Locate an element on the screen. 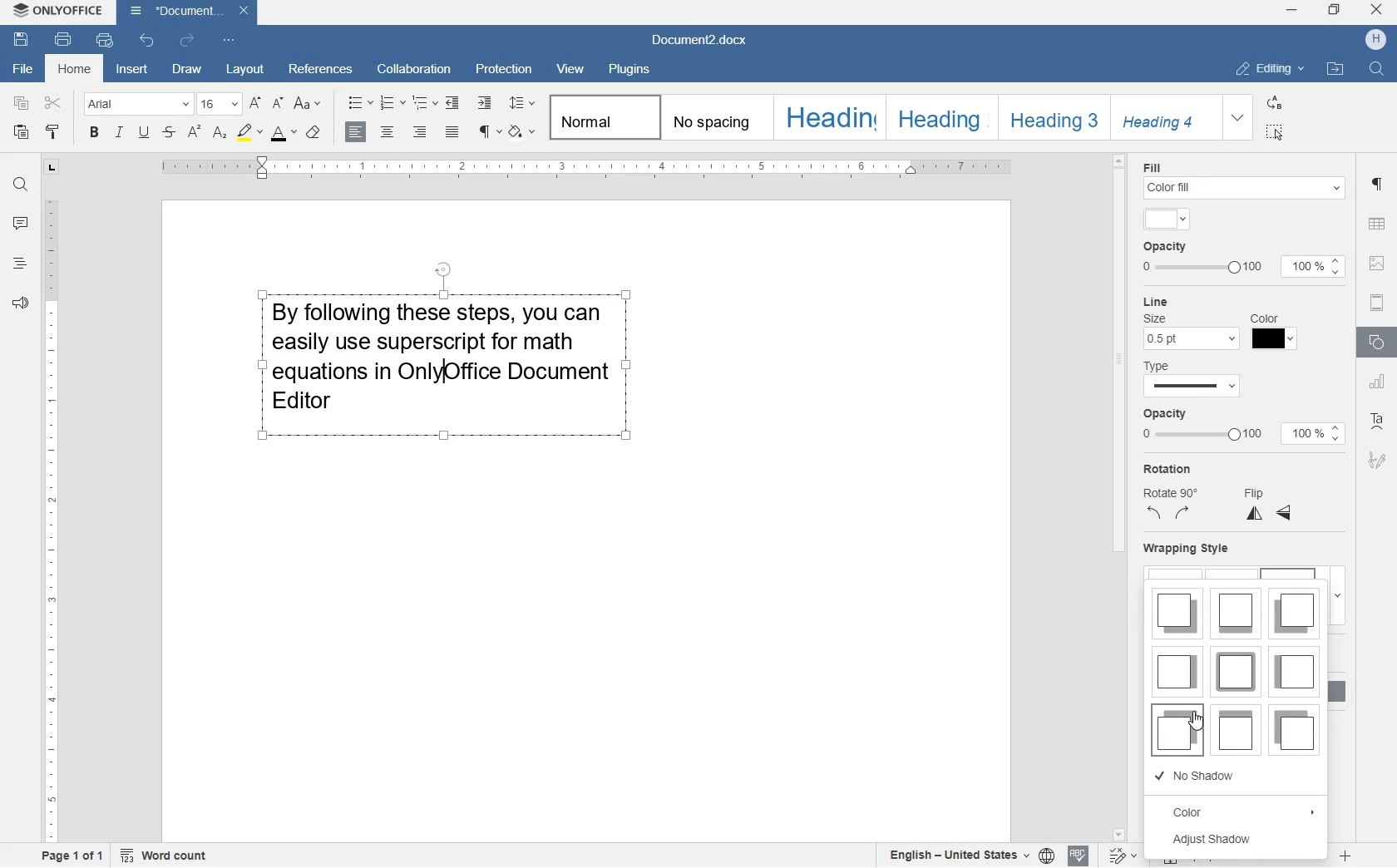 The height and width of the screenshot is (868, 1397). Word count is located at coordinates (163, 856).